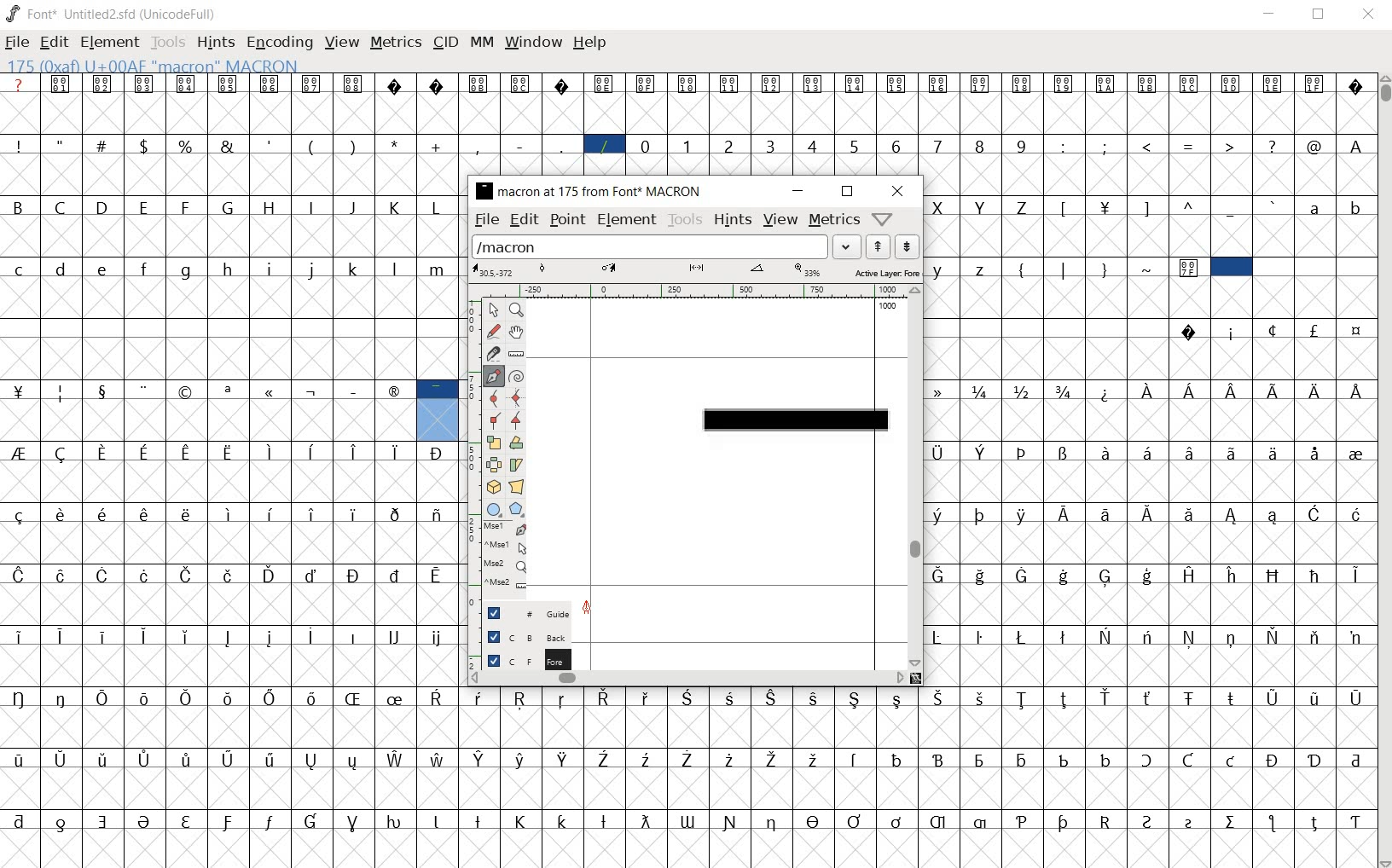  Describe the element at coordinates (229, 146) in the screenshot. I see `&` at that location.